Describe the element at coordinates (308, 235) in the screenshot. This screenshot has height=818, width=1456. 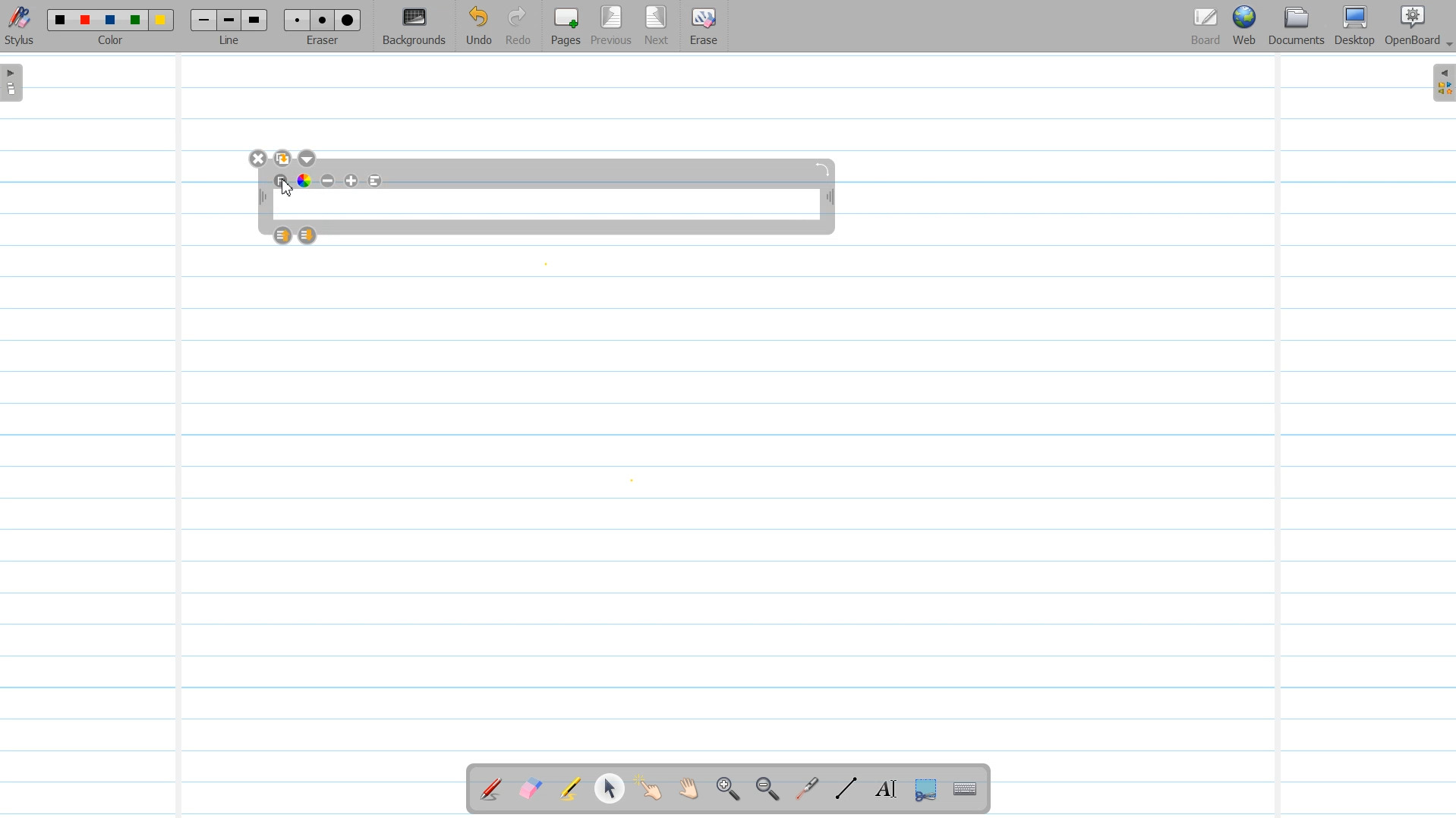
I see `Layer Down` at that location.